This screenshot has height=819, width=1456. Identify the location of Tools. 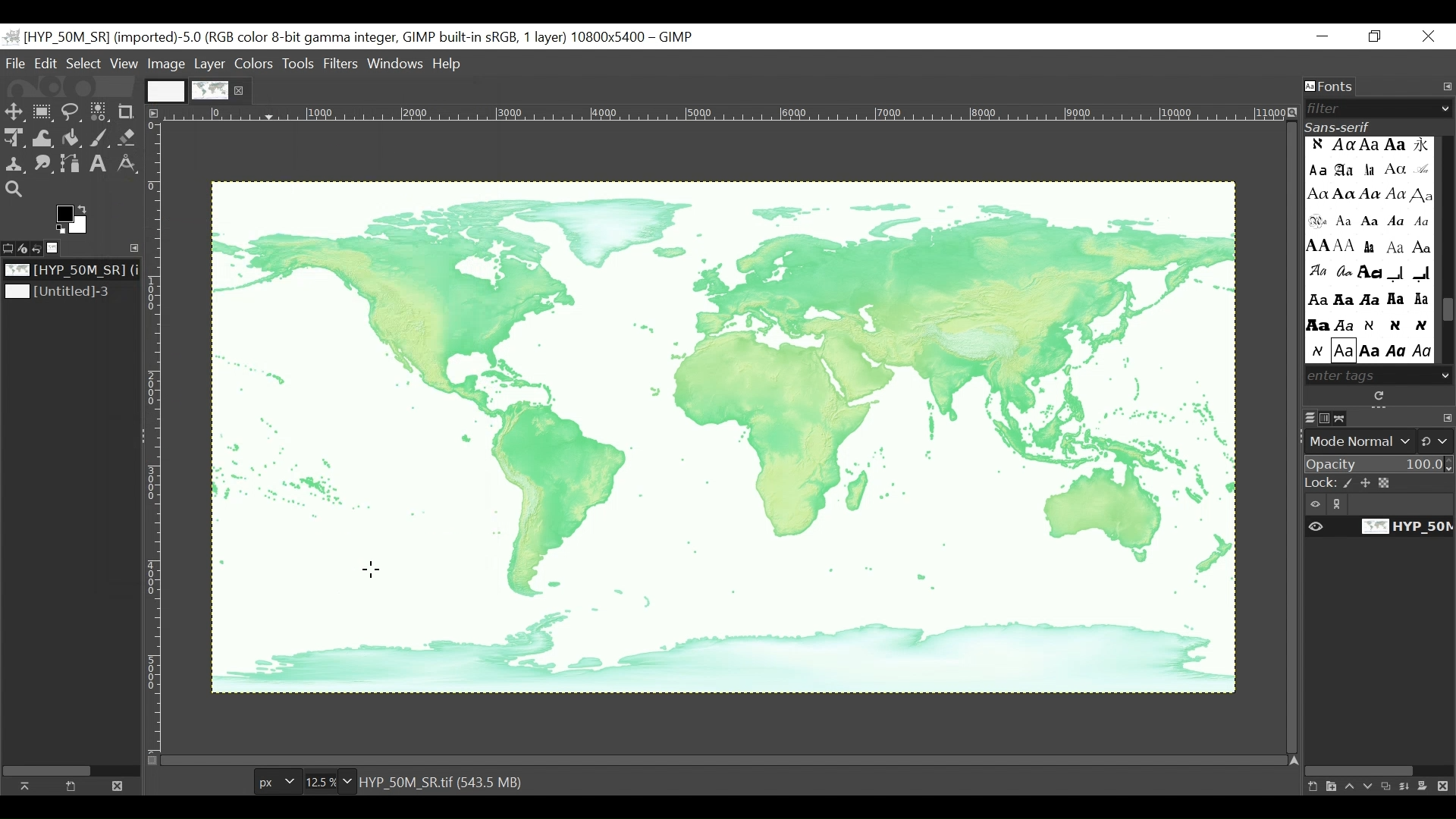
(302, 63).